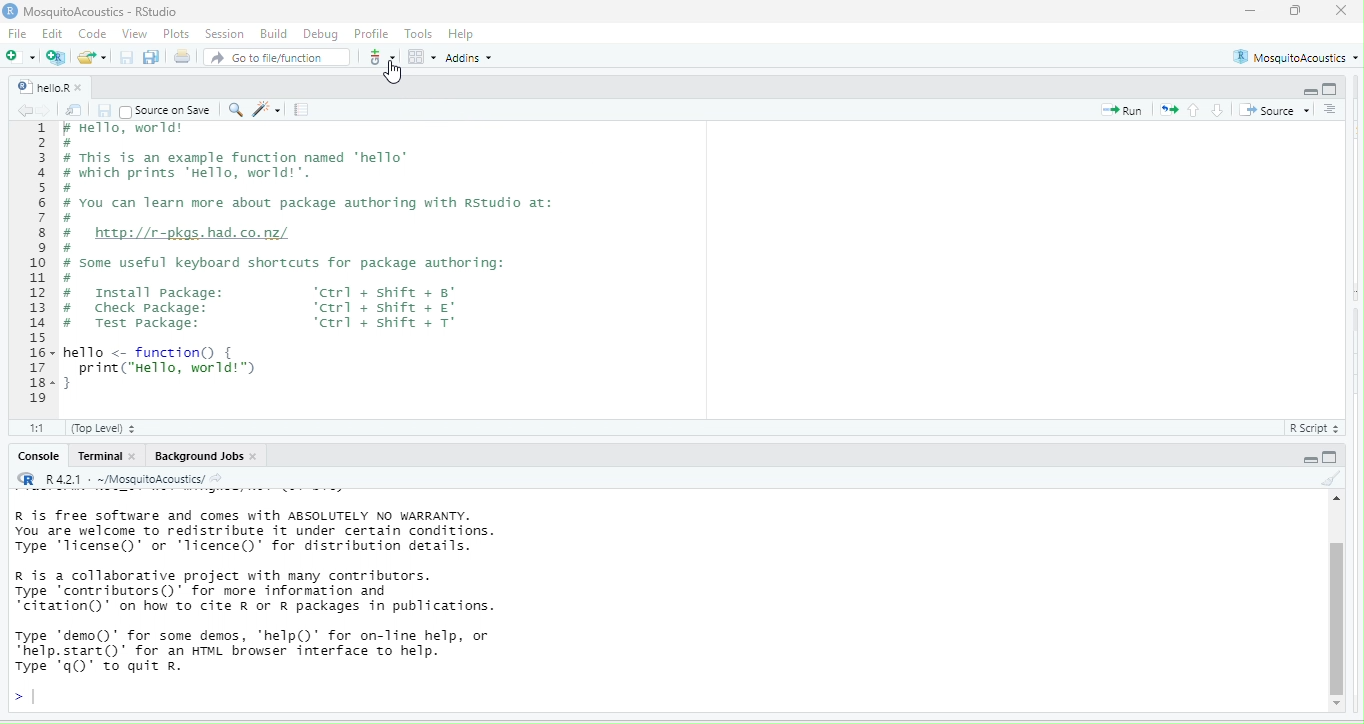 The height and width of the screenshot is (724, 1364). Describe the element at coordinates (41, 459) in the screenshot. I see `Console` at that location.